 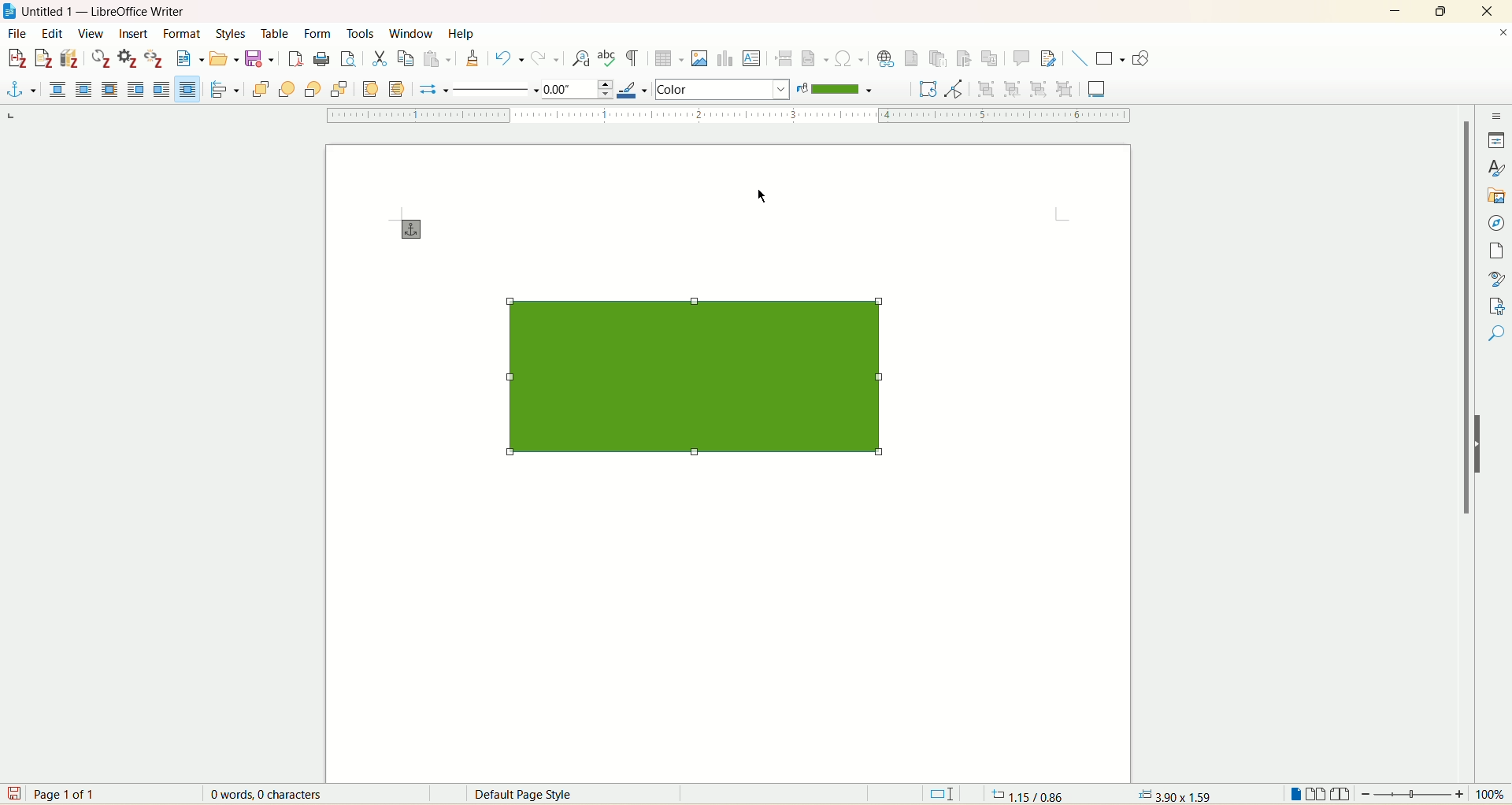 I want to click on basic shapes, so click(x=1110, y=59).